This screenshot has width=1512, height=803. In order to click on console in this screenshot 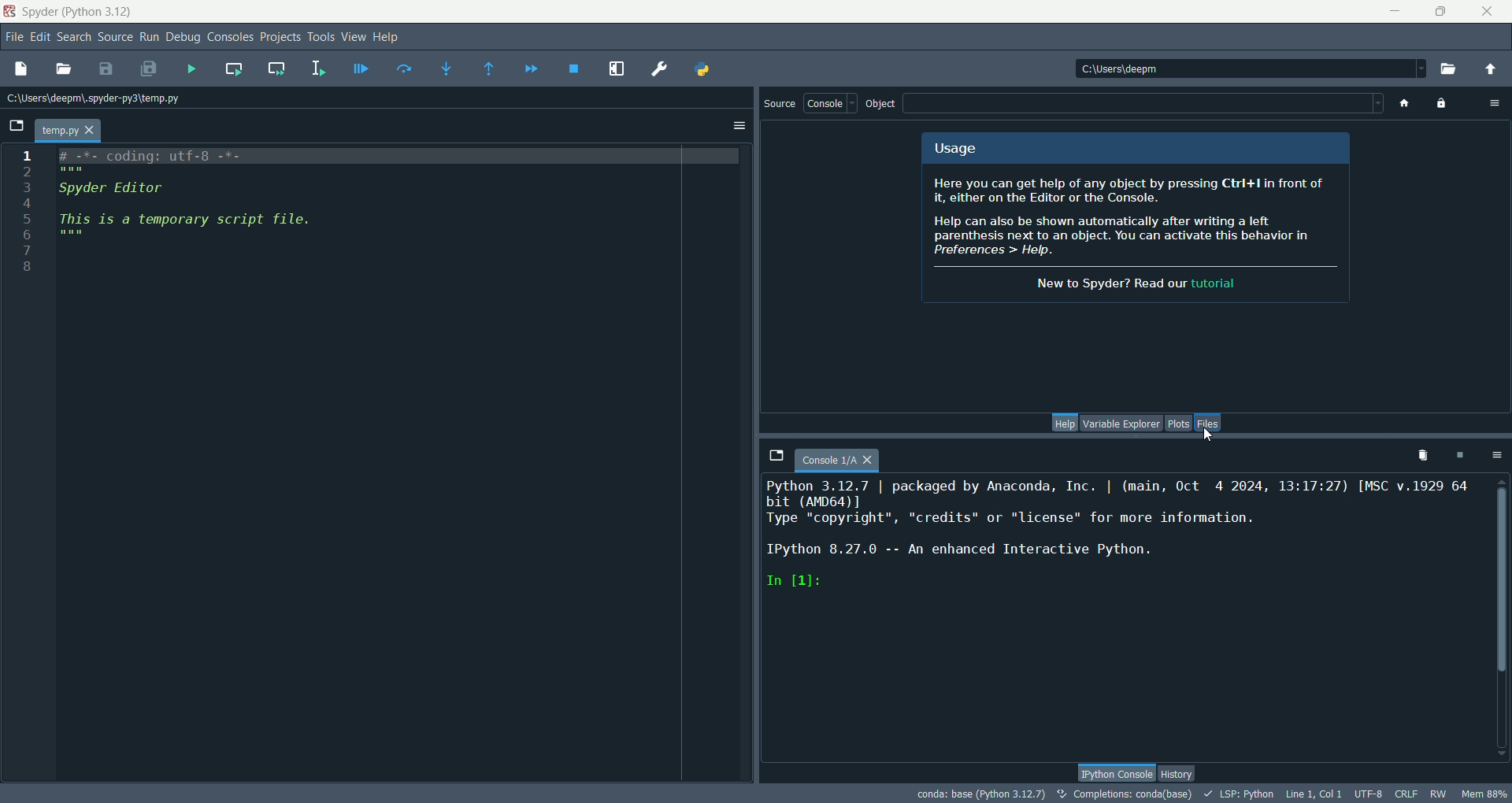, I will do `click(840, 455)`.